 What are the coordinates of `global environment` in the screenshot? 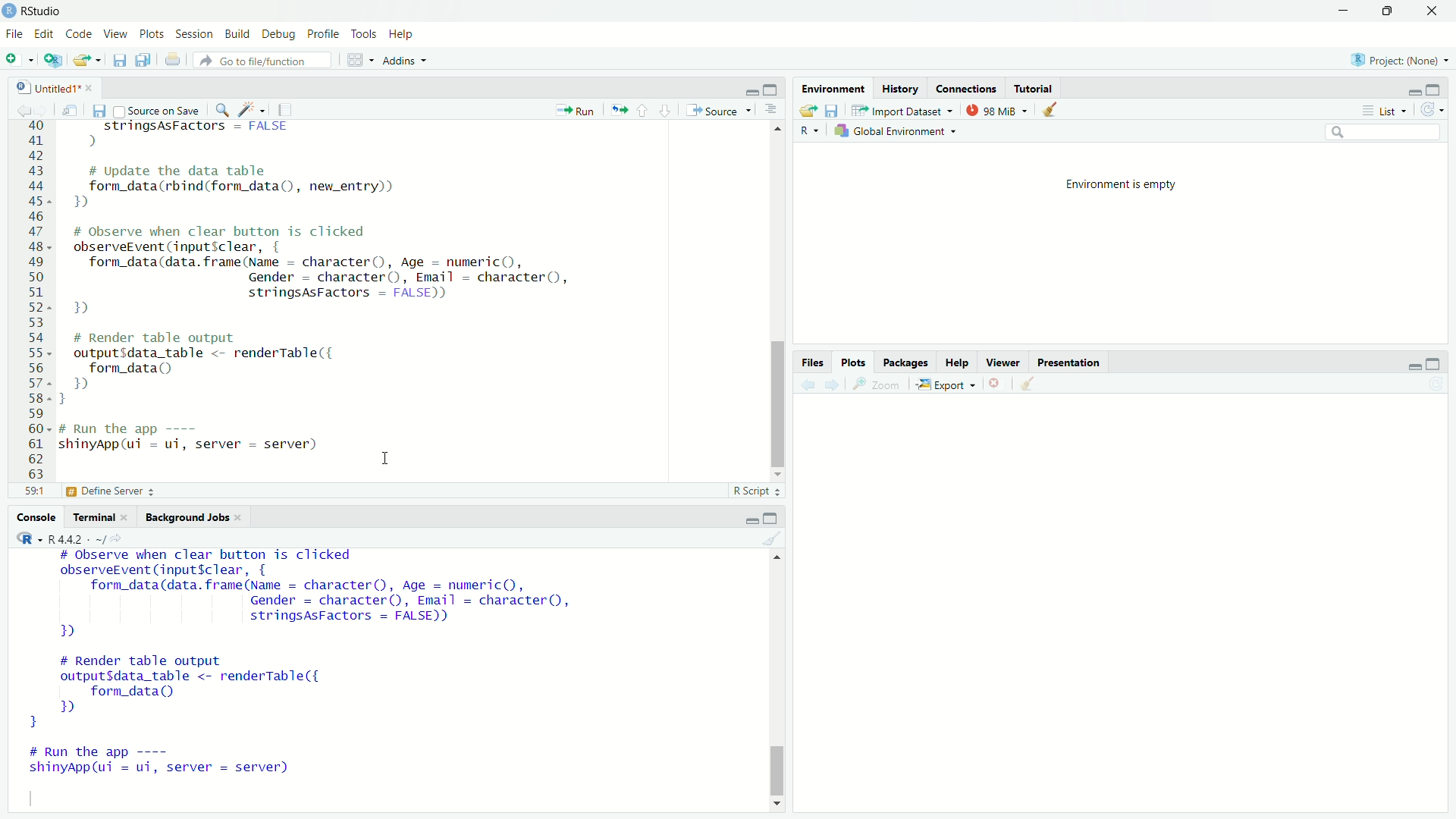 It's located at (899, 132).